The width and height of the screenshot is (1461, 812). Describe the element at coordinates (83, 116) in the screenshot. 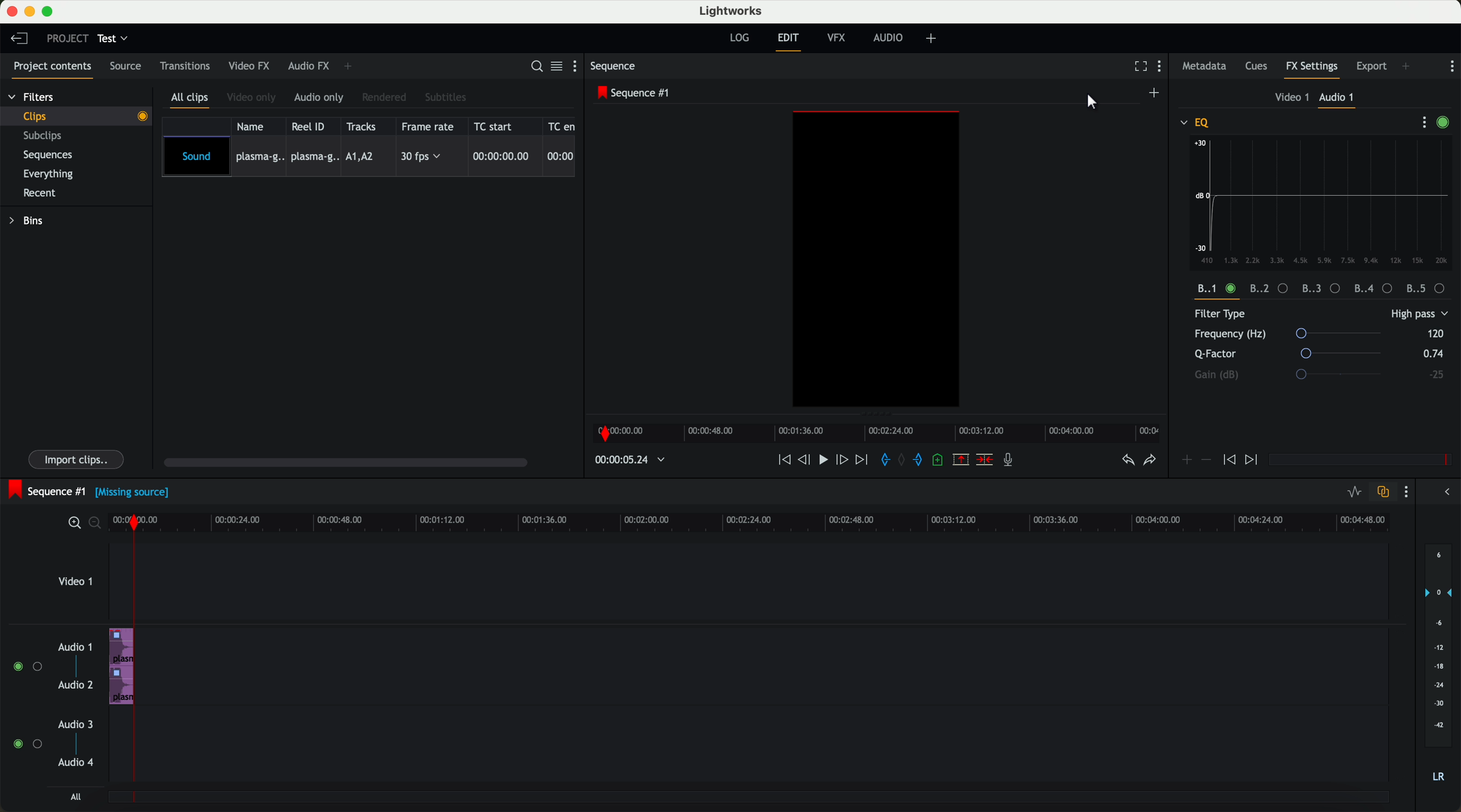

I see `clip` at that location.